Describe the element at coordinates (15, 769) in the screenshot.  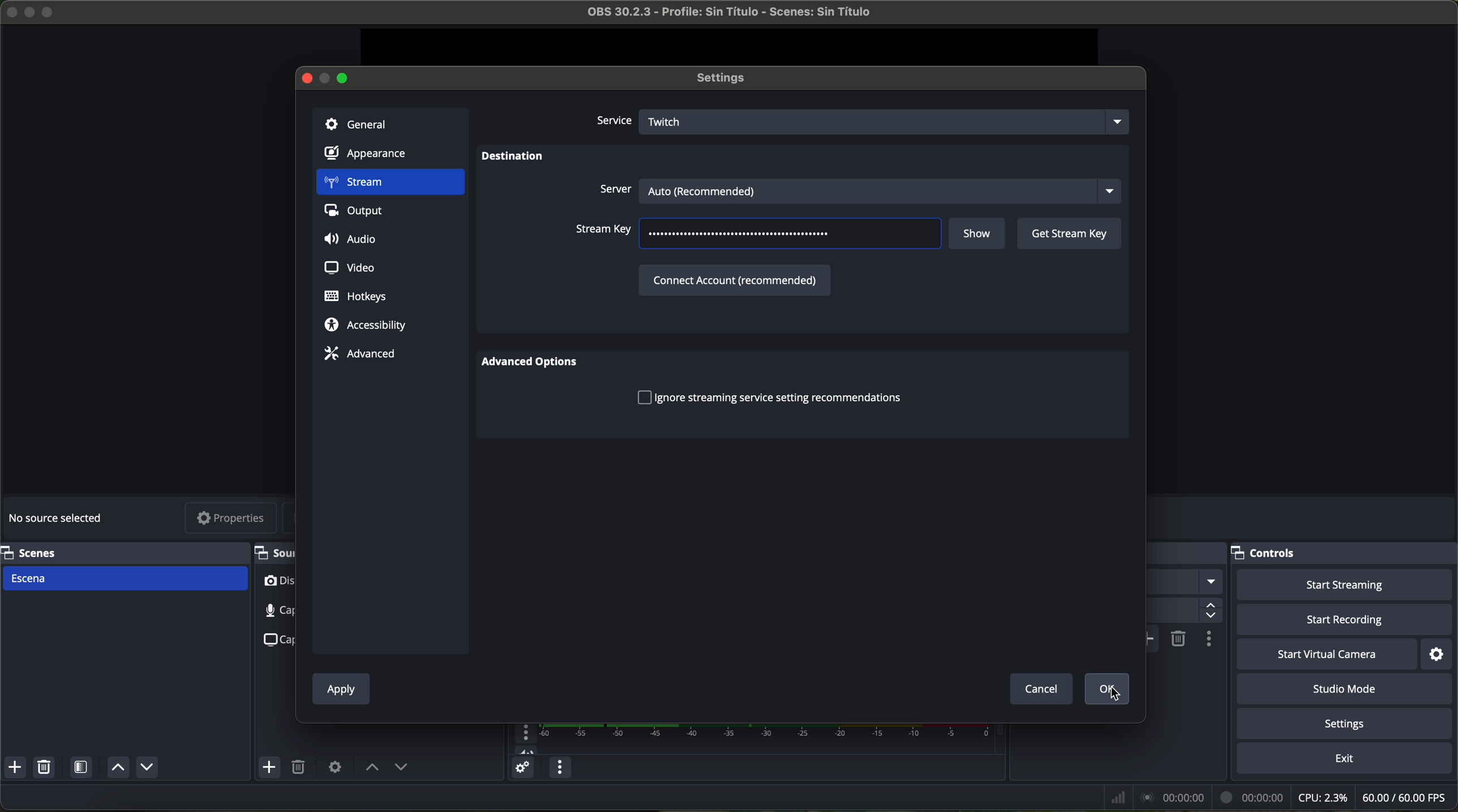
I see `add scene` at that location.